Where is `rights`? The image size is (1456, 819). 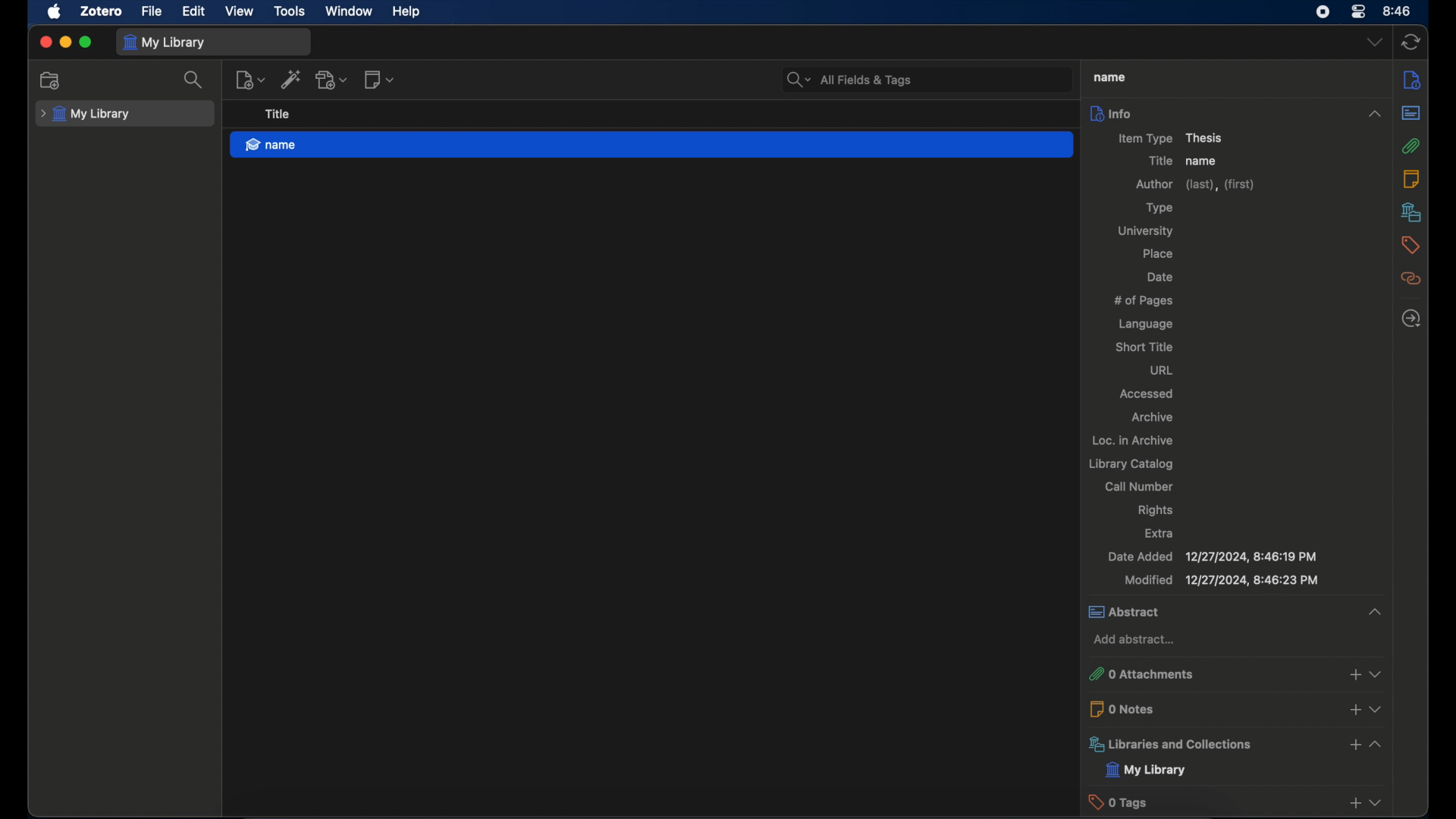 rights is located at coordinates (1155, 510).